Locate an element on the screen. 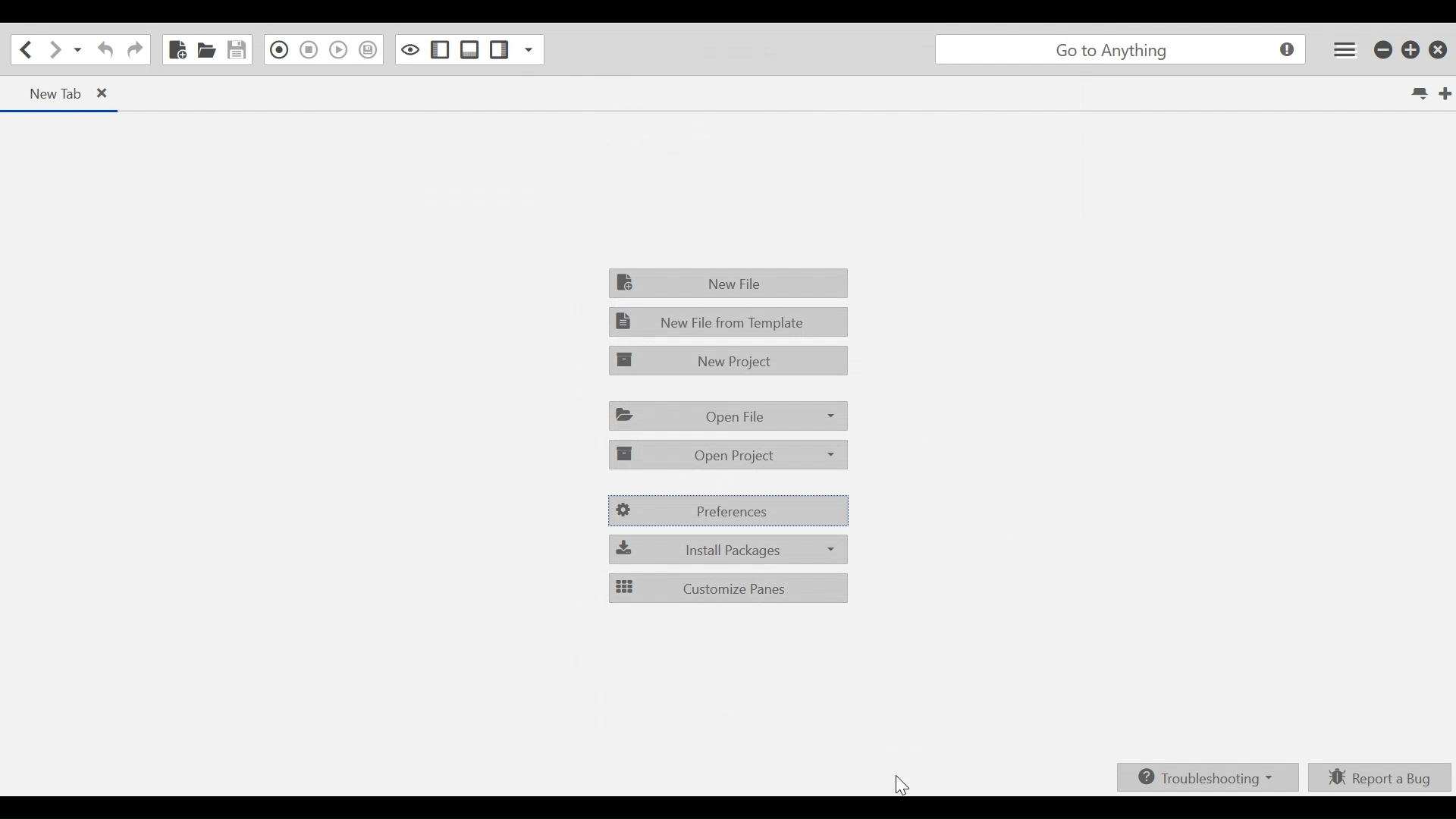 Image resolution: width=1456 pixels, height=819 pixels. Close is located at coordinates (1439, 50).